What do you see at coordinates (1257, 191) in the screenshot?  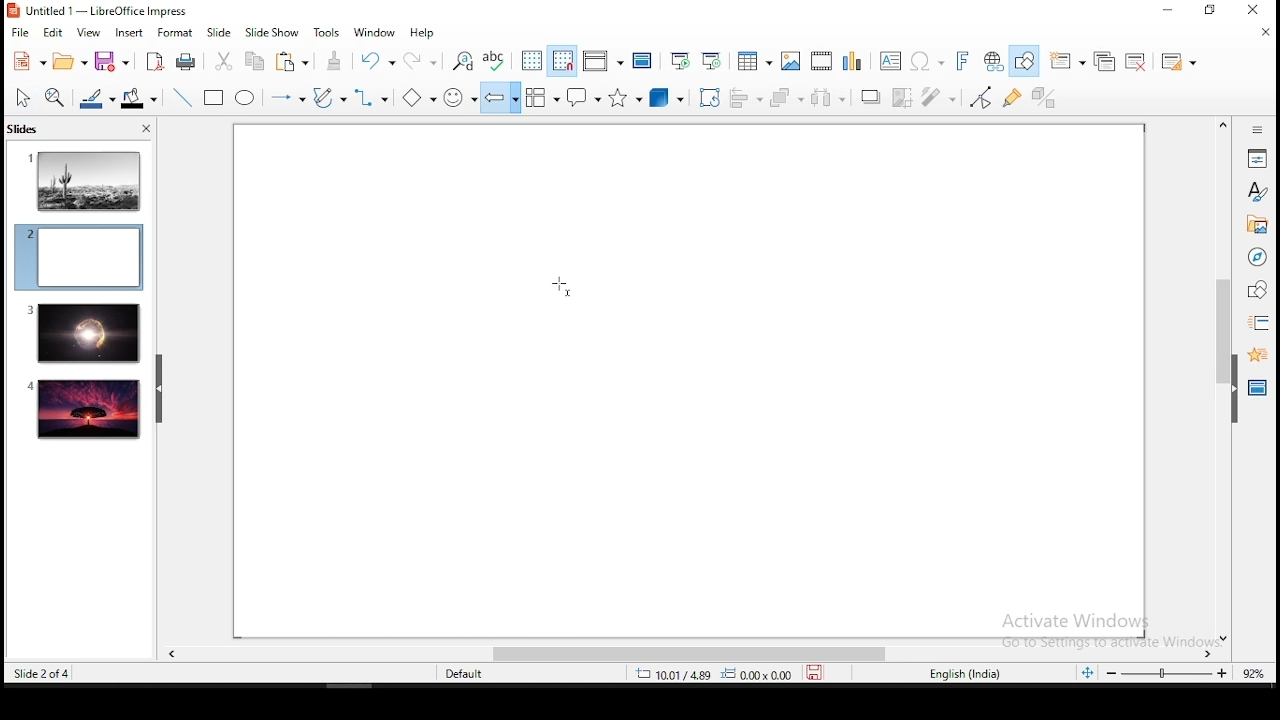 I see `styles` at bounding box center [1257, 191].